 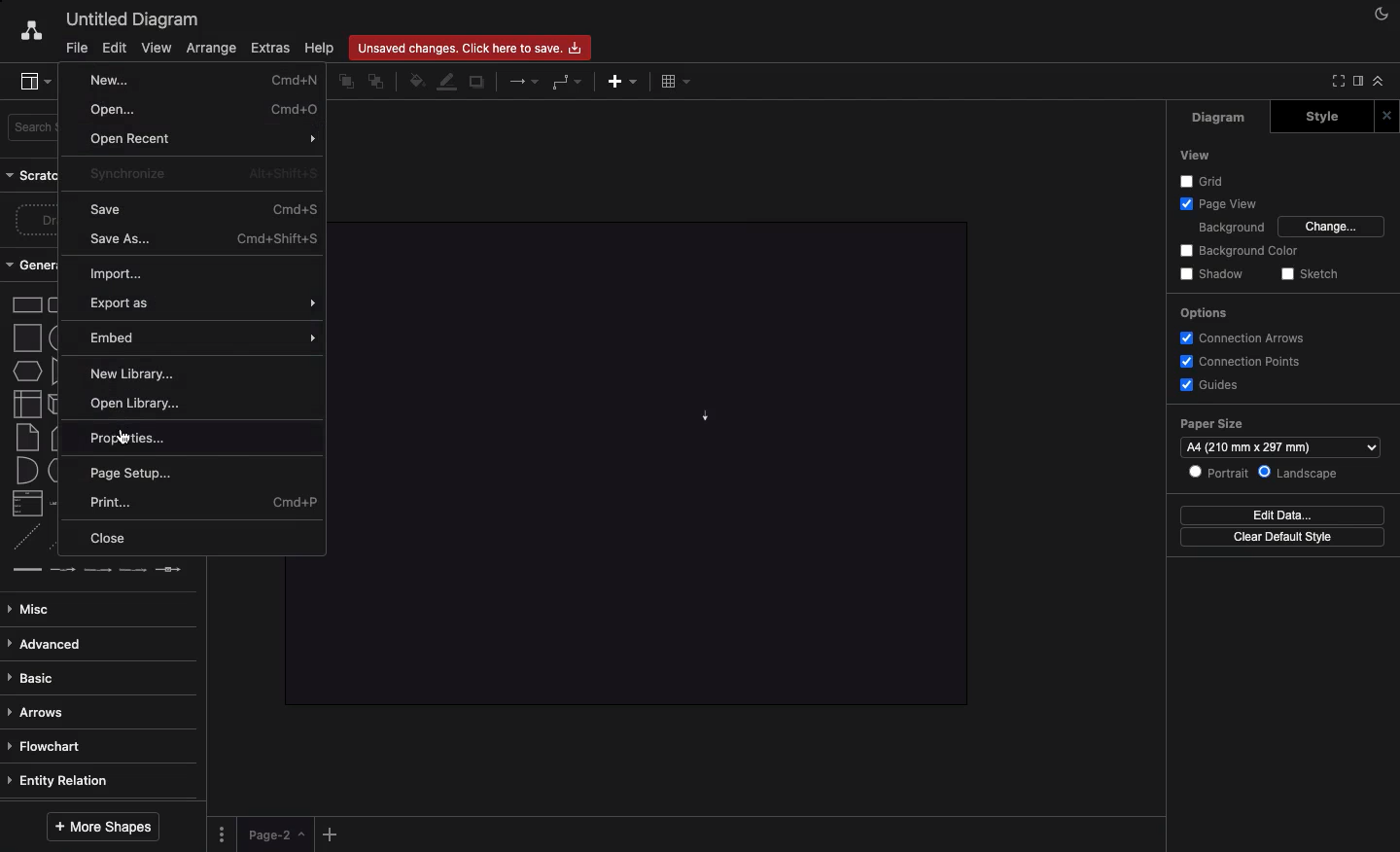 What do you see at coordinates (1230, 226) in the screenshot?
I see `Background` at bounding box center [1230, 226].